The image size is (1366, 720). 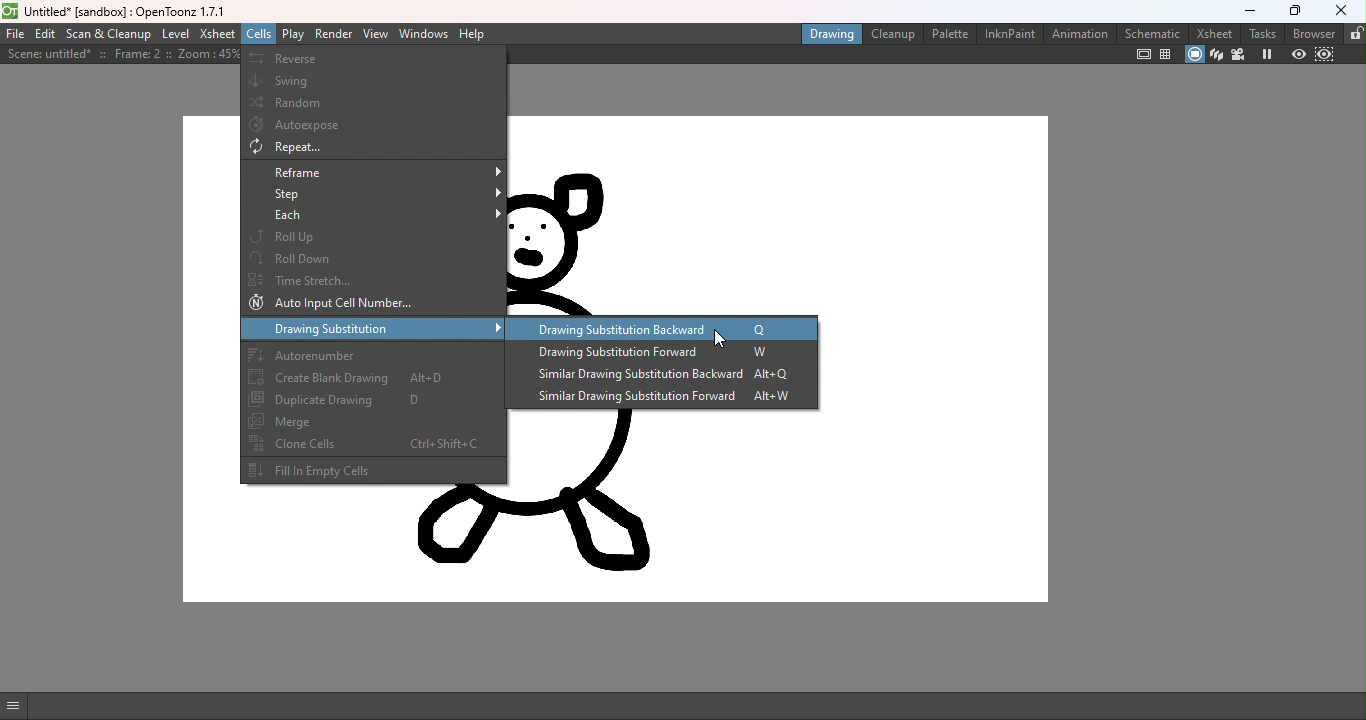 What do you see at coordinates (475, 34) in the screenshot?
I see `Help` at bounding box center [475, 34].